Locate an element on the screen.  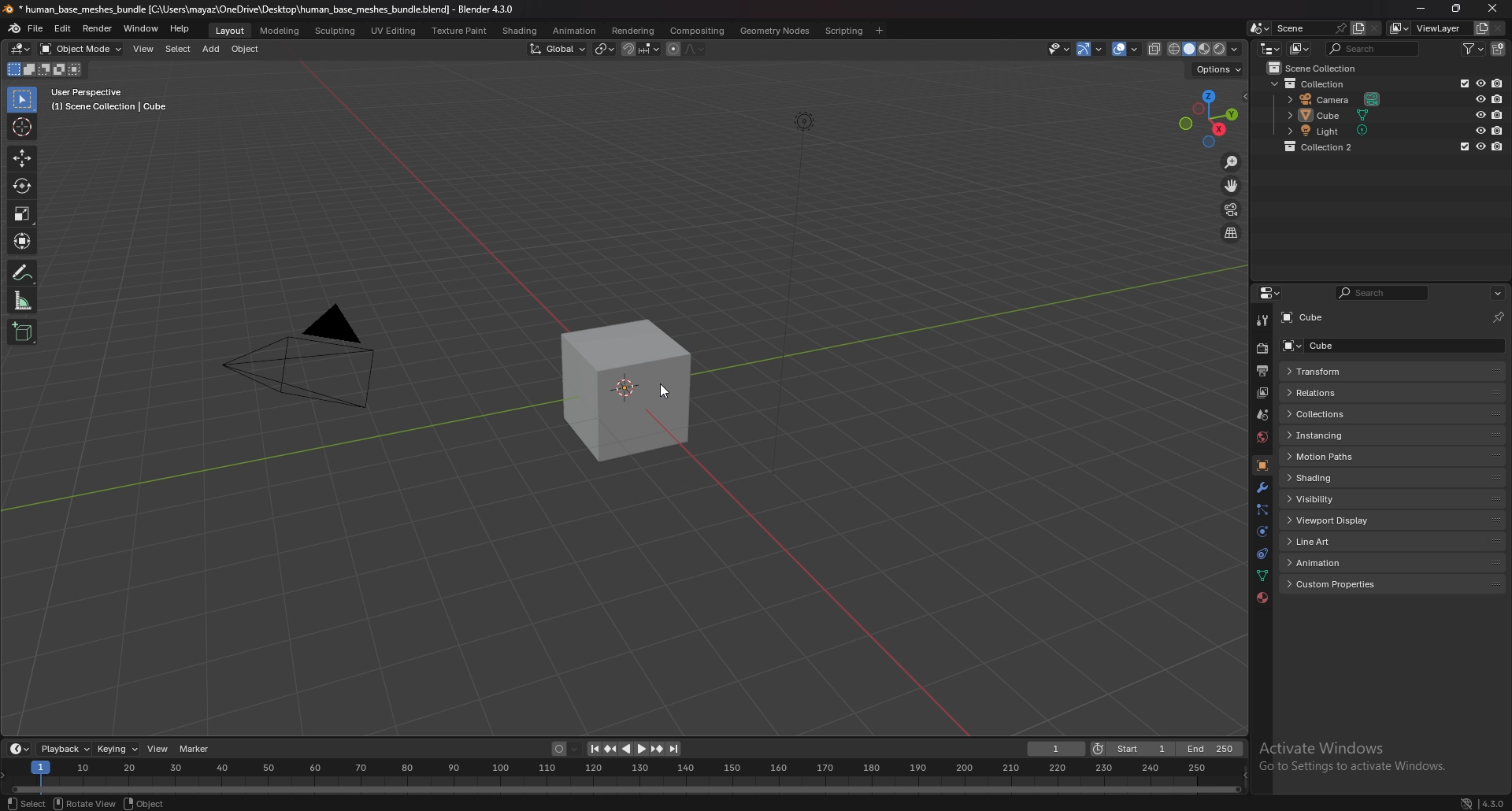
display mode is located at coordinates (1302, 48).